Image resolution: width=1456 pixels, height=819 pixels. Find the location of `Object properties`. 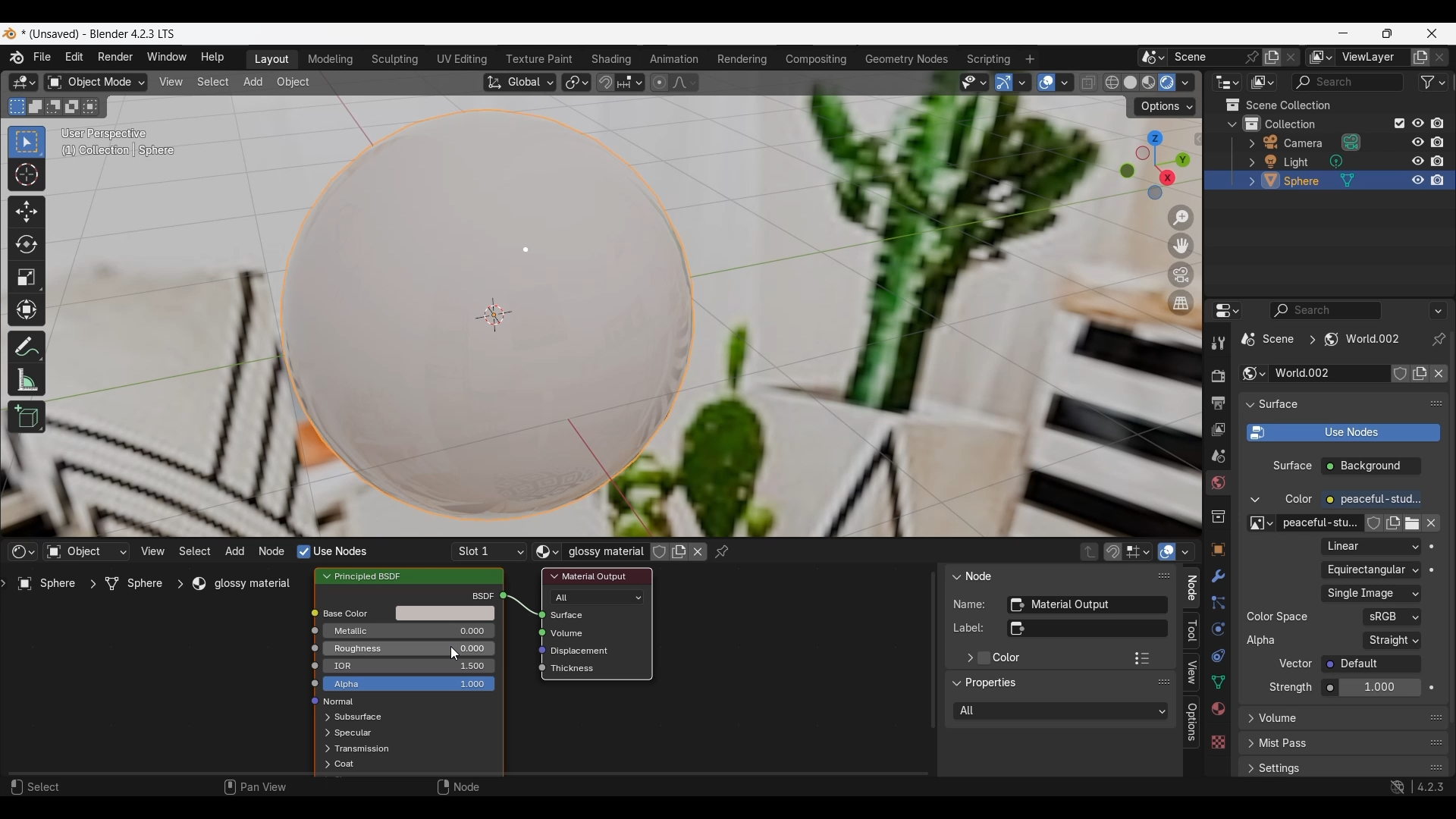

Object properties is located at coordinates (1217, 550).